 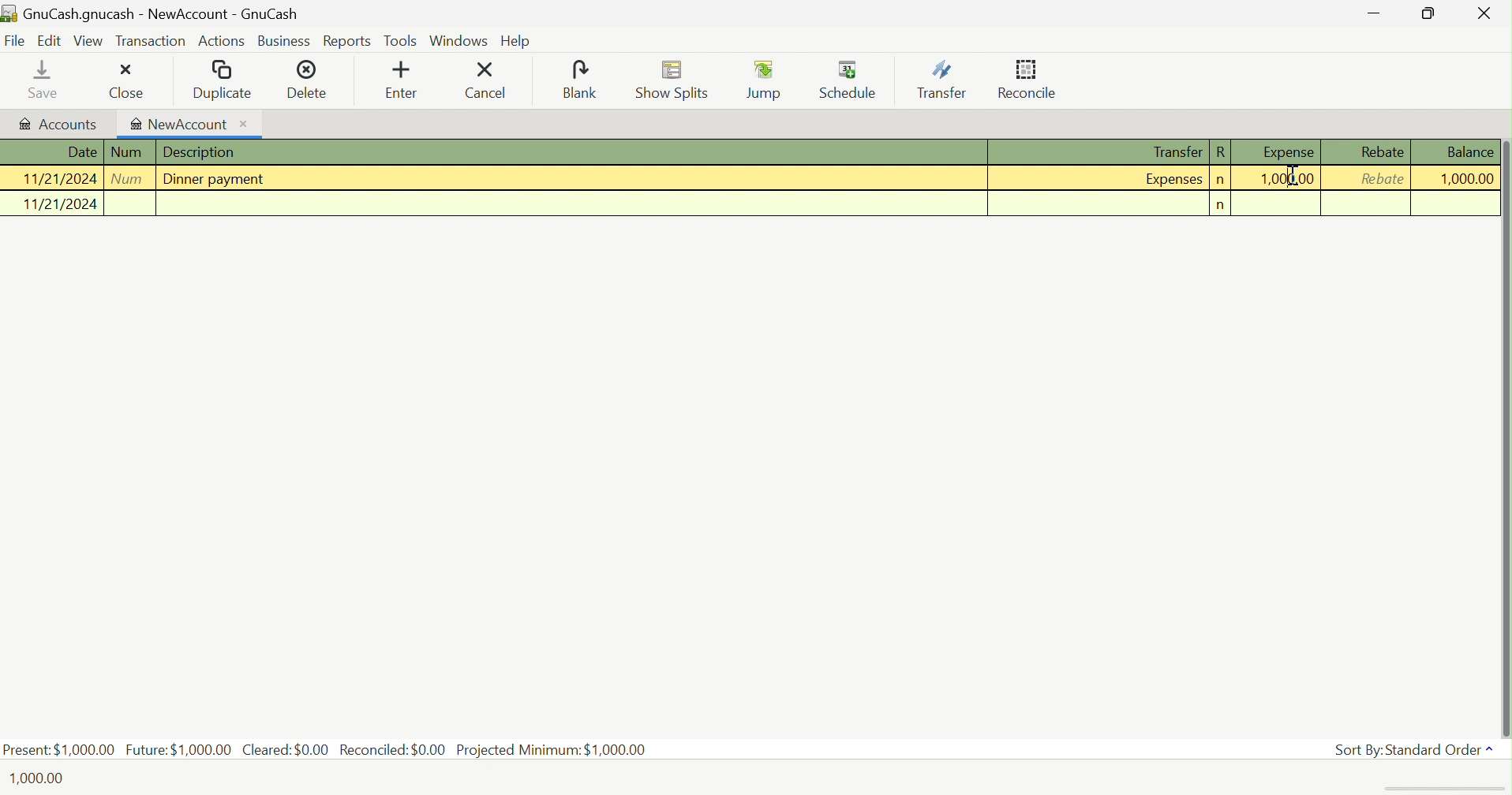 What do you see at coordinates (1223, 203) in the screenshot?
I see `` at bounding box center [1223, 203].